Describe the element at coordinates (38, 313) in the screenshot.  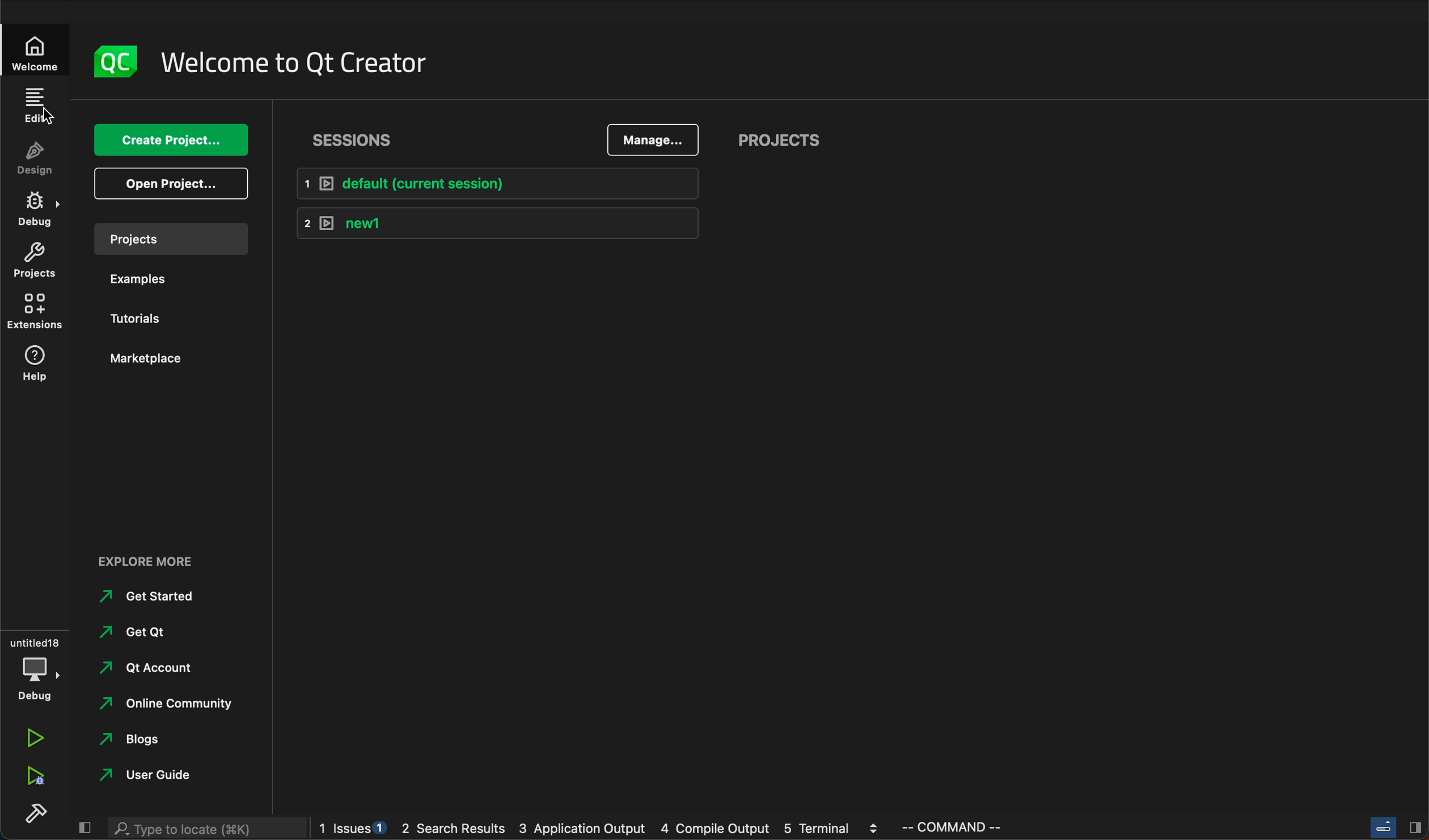
I see `extentions` at that location.